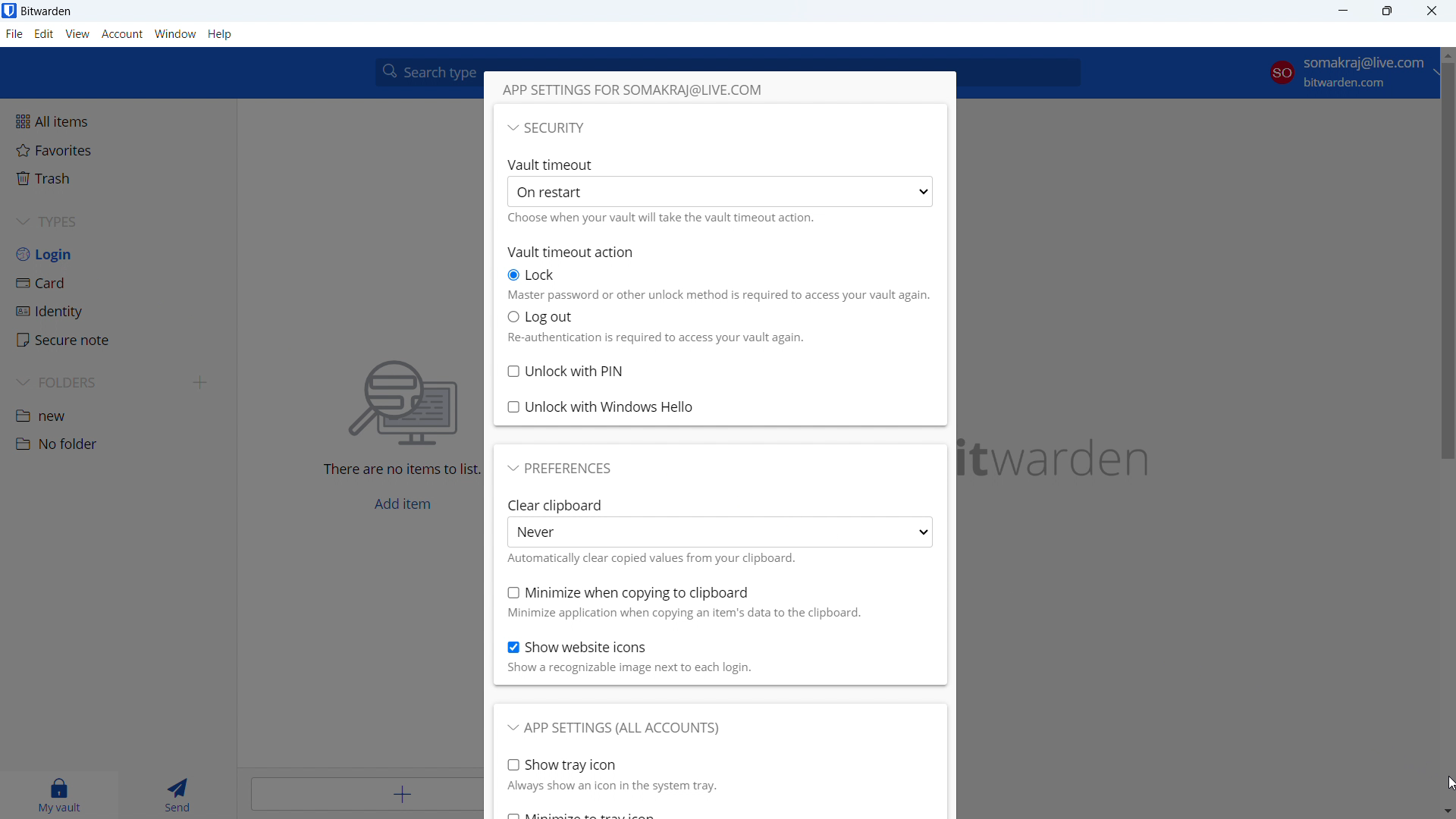  I want to click on Clear Clipboard, so click(551, 504).